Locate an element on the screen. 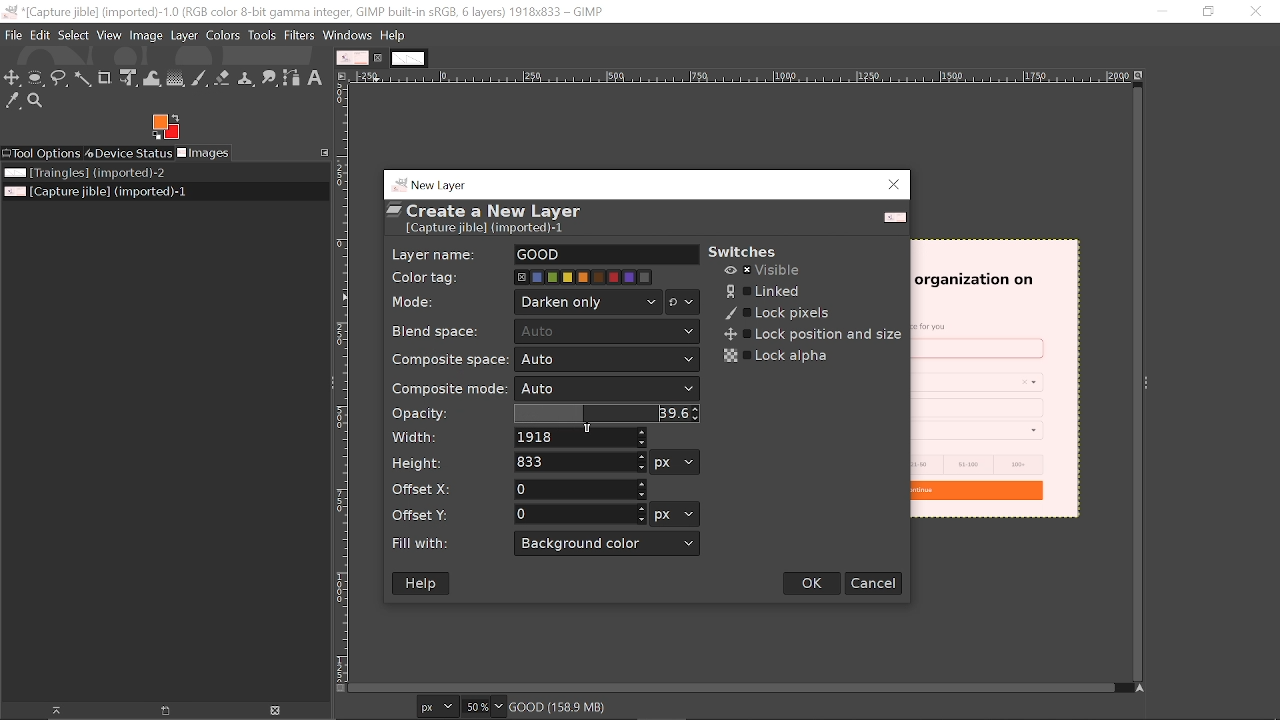  Move tool is located at coordinates (13, 78).